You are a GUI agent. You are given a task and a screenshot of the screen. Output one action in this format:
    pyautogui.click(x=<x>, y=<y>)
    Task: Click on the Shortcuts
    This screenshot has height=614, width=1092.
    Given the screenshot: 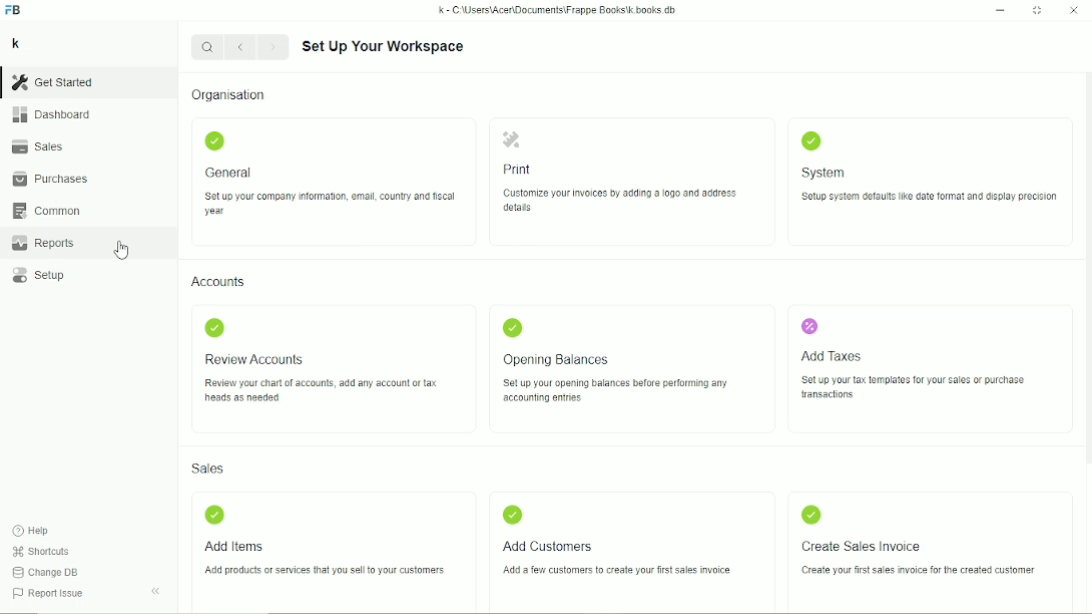 What is the action you would take?
    pyautogui.click(x=42, y=552)
    